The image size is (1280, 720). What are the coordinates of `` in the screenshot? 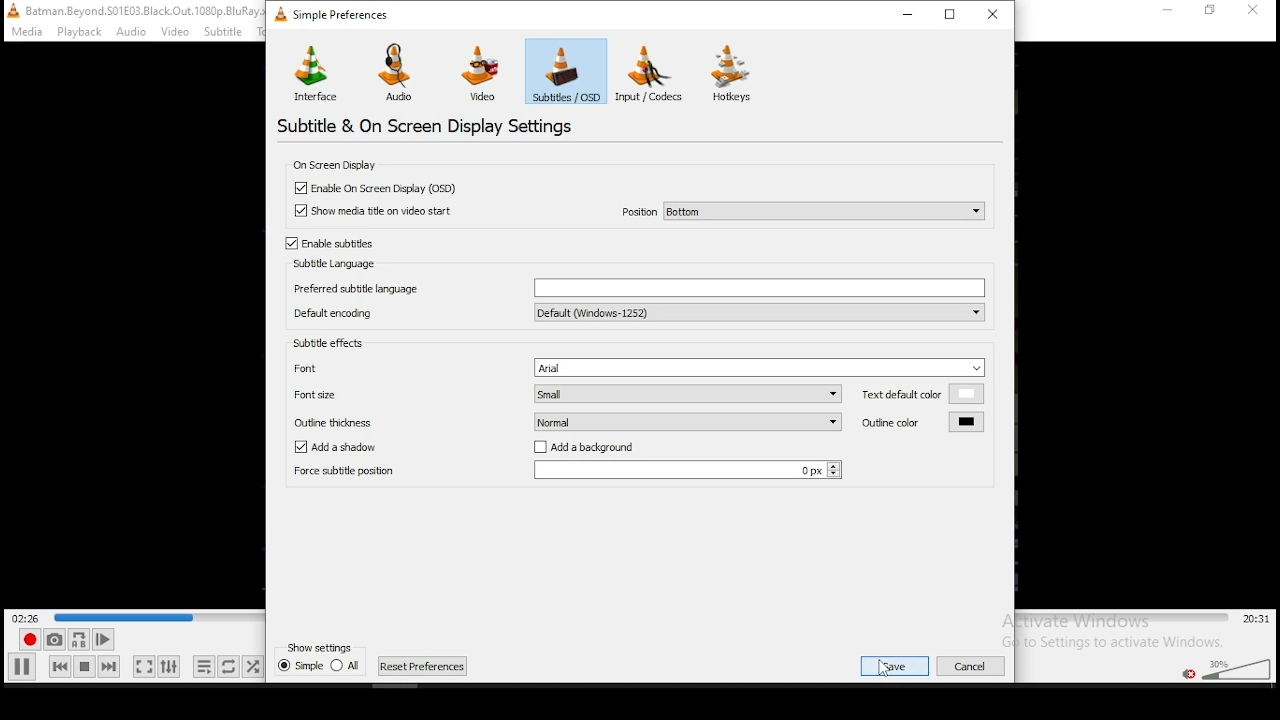 It's located at (1214, 14).